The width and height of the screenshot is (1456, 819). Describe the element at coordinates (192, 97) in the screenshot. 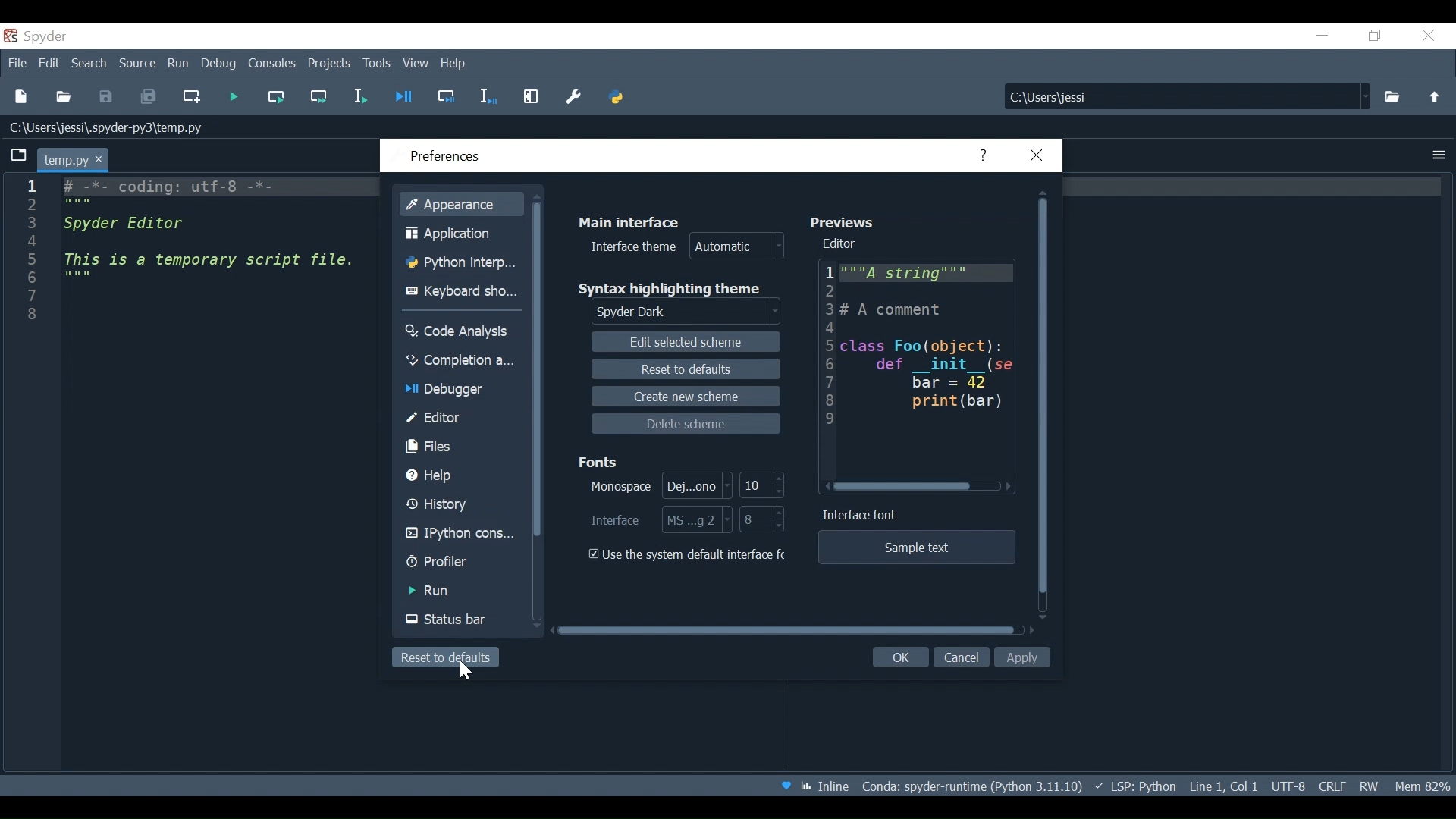

I see `Create new file at the current file` at that location.